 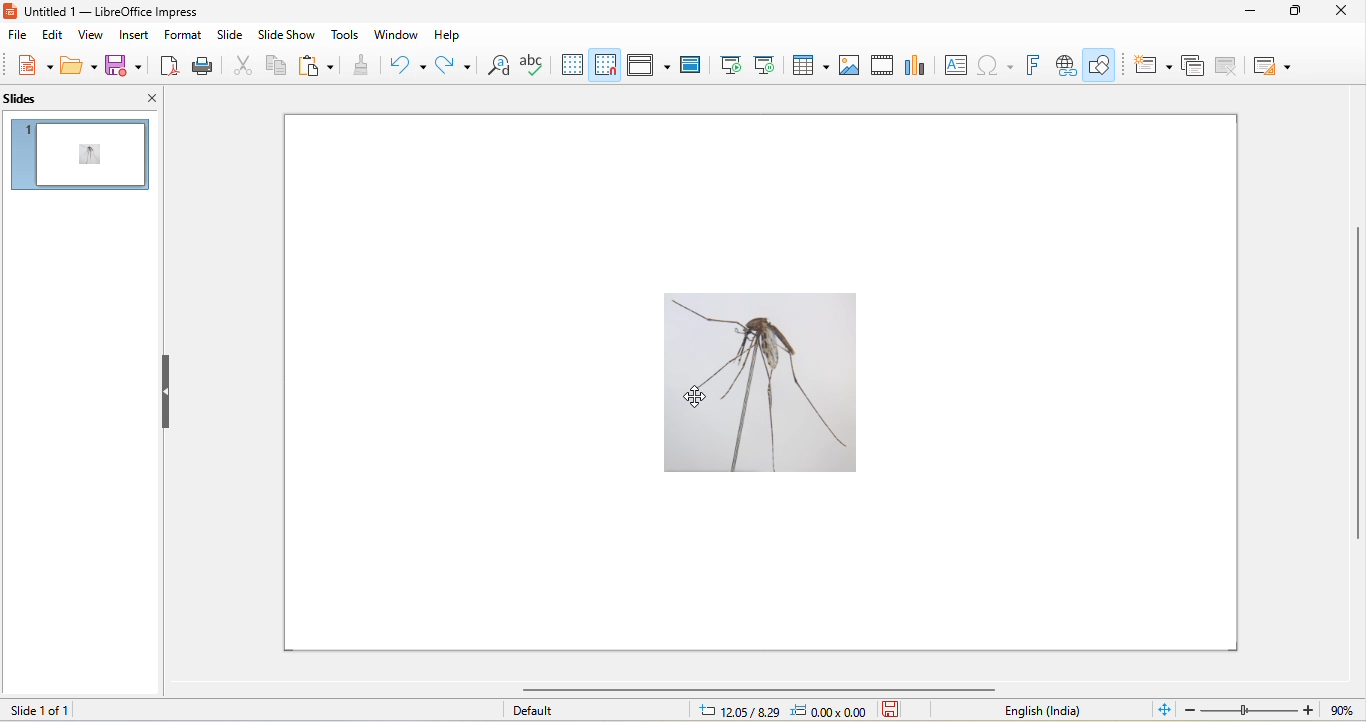 What do you see at coordinates (498, 64) in the screenshot?
I see `find and replace` at bounding box center [498, 64].